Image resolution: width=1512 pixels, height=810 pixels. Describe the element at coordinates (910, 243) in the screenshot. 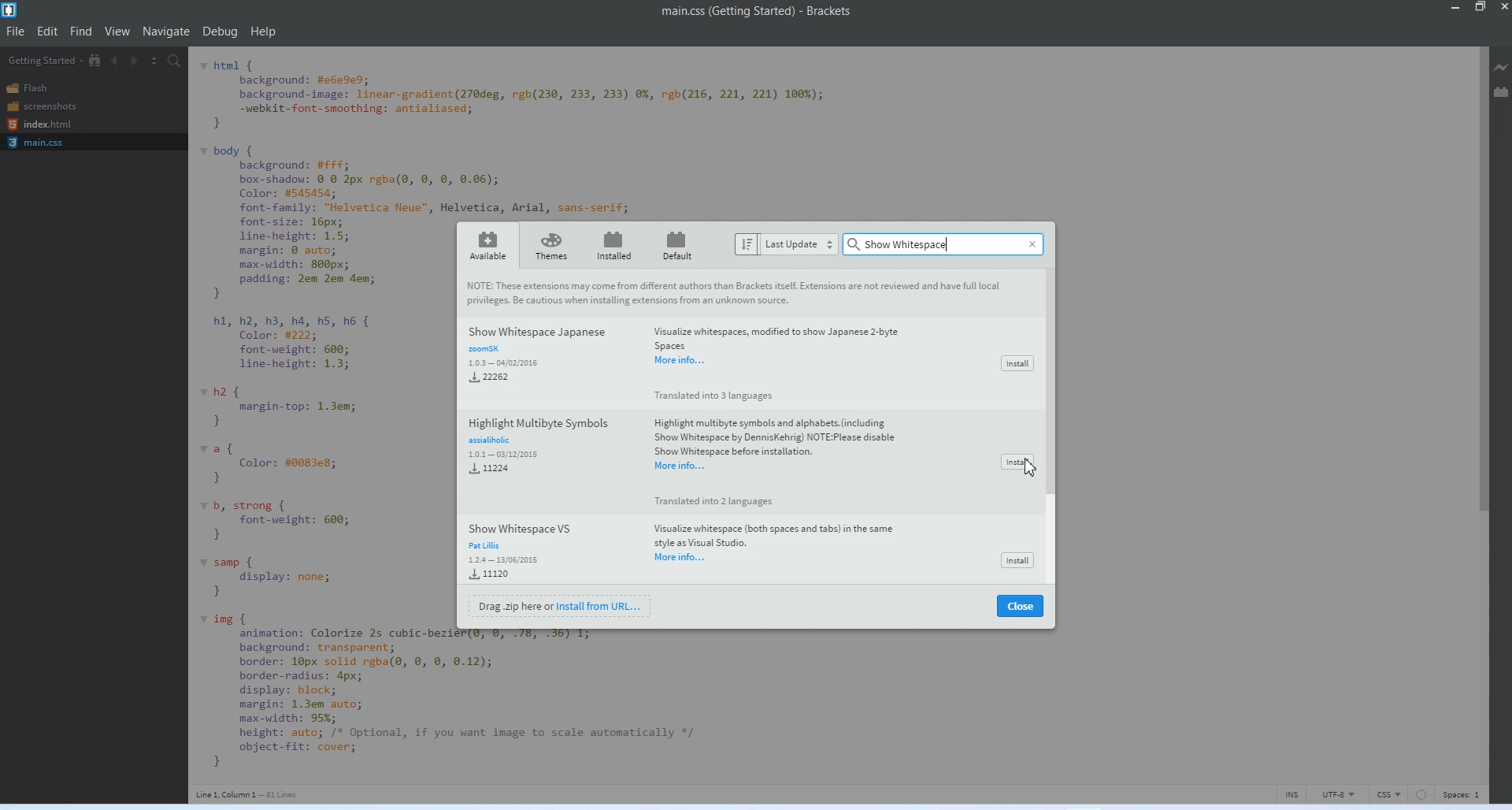

I see `Show whitespace` at that location.